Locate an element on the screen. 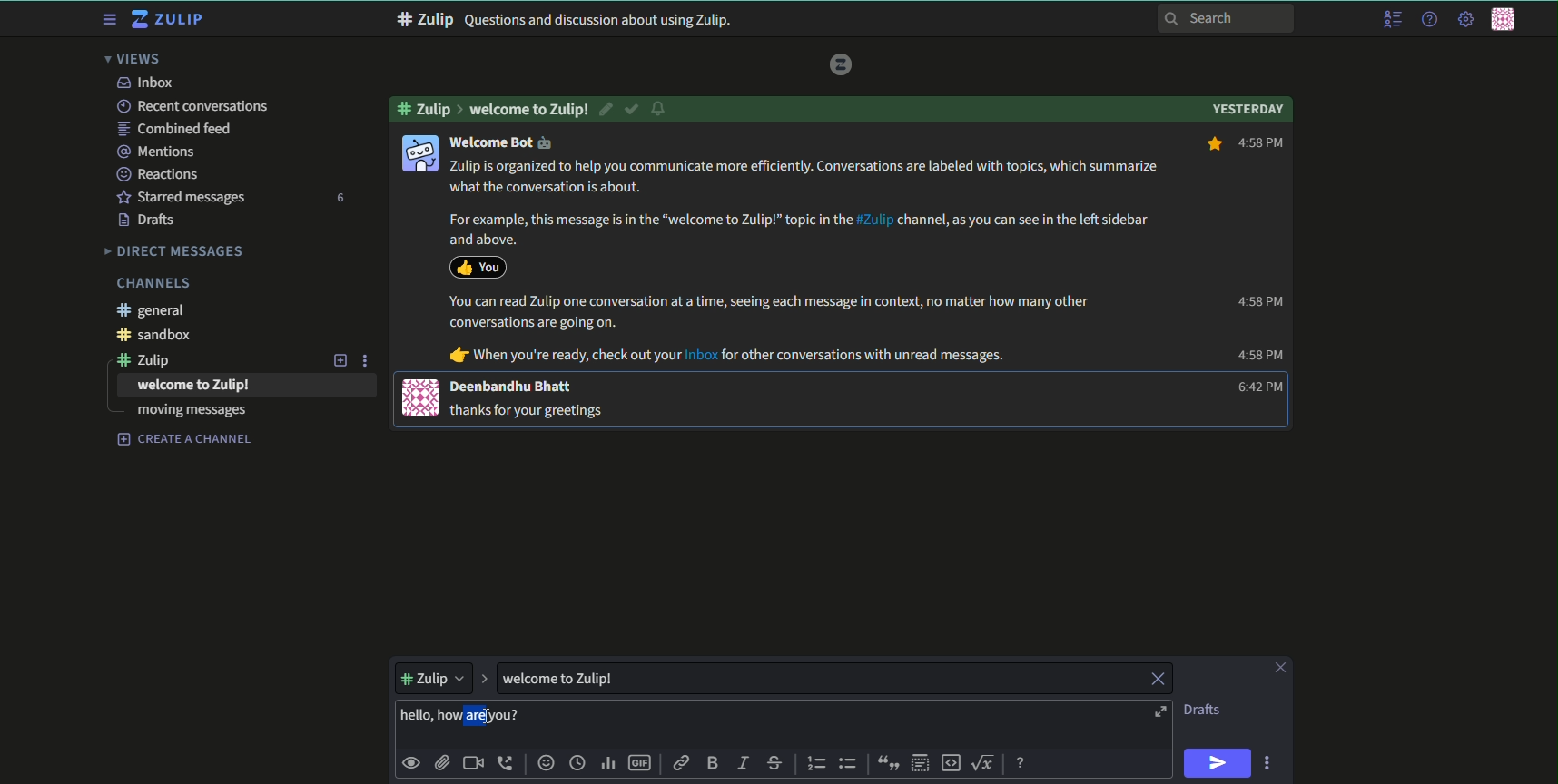 This screenshot has height=784, width=1558. Yesterday is located at coordinates (1247, 107).